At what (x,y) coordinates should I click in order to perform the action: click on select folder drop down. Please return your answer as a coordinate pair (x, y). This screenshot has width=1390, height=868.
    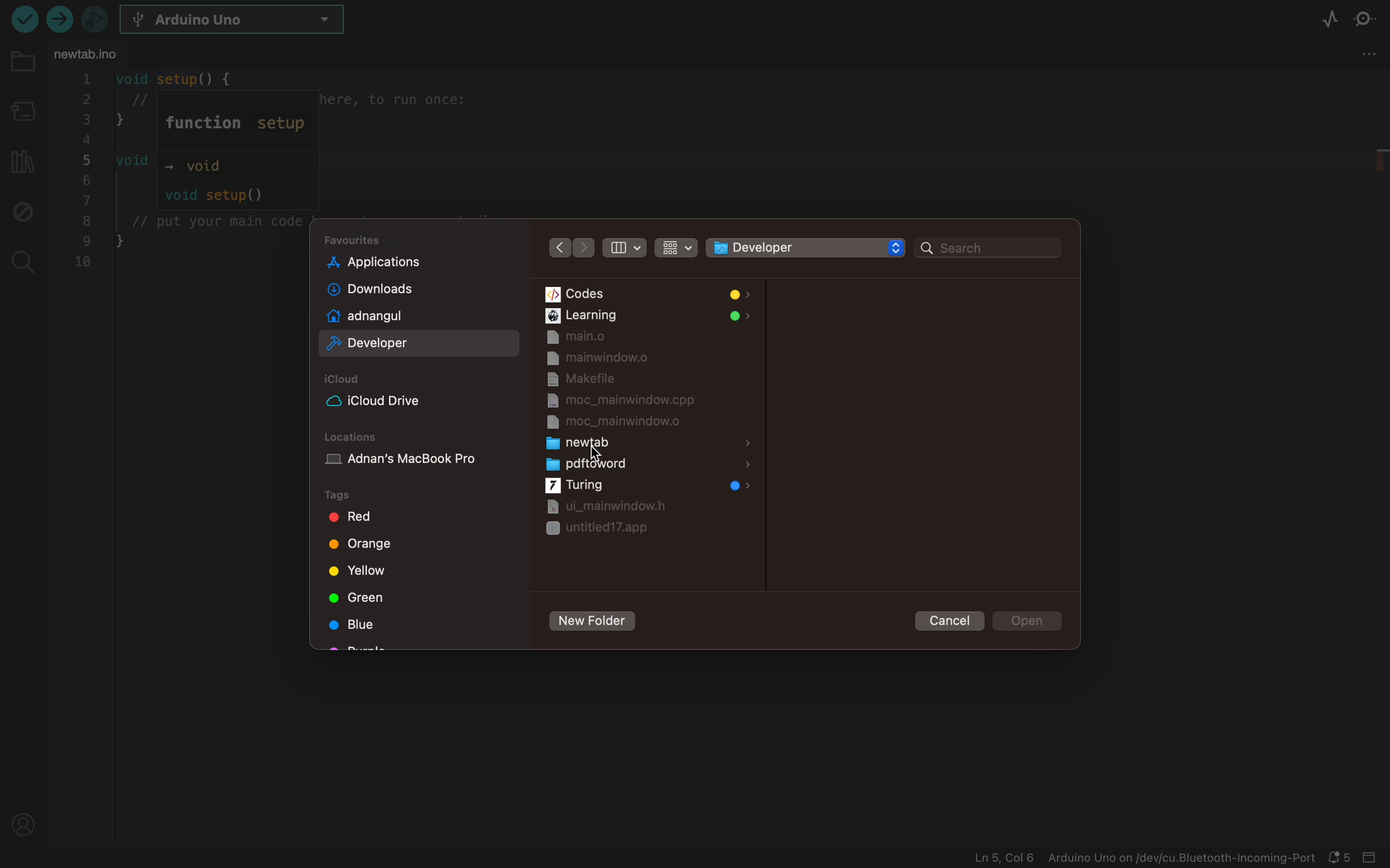
    Looking at the image, I should click on (896, 247).